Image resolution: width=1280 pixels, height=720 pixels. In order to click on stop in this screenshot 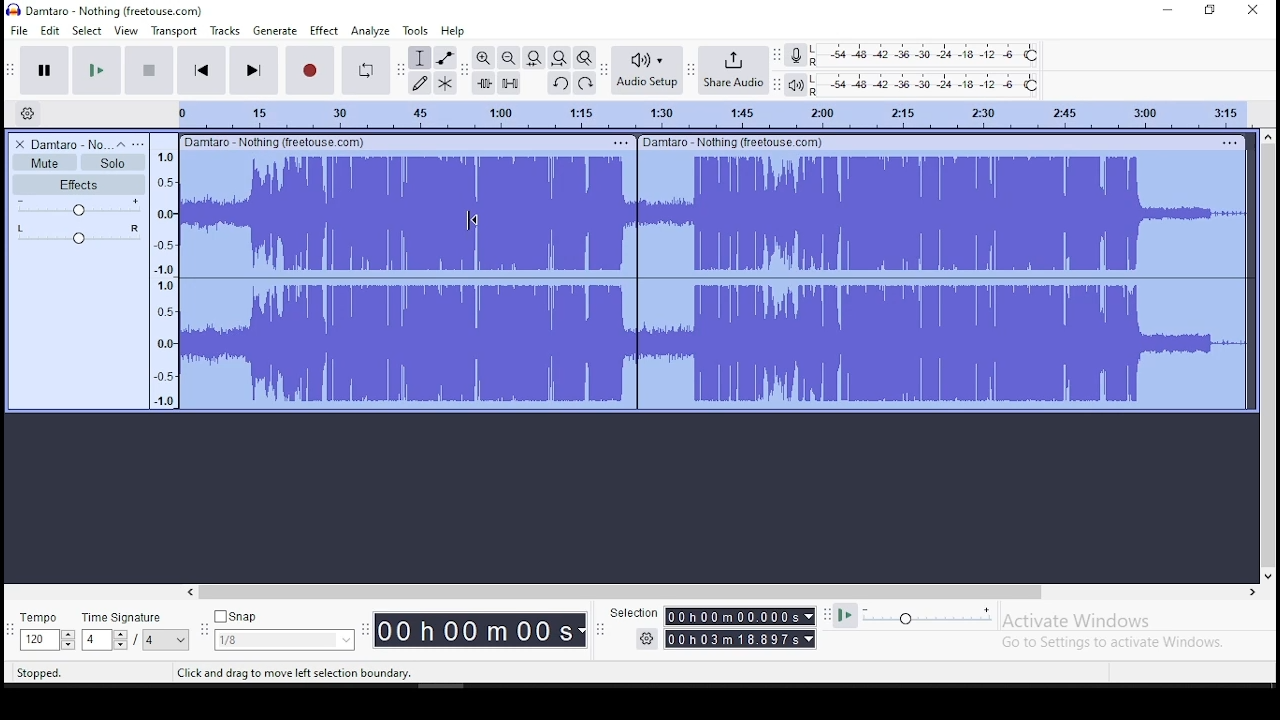, I will do `click(149, 69)`.